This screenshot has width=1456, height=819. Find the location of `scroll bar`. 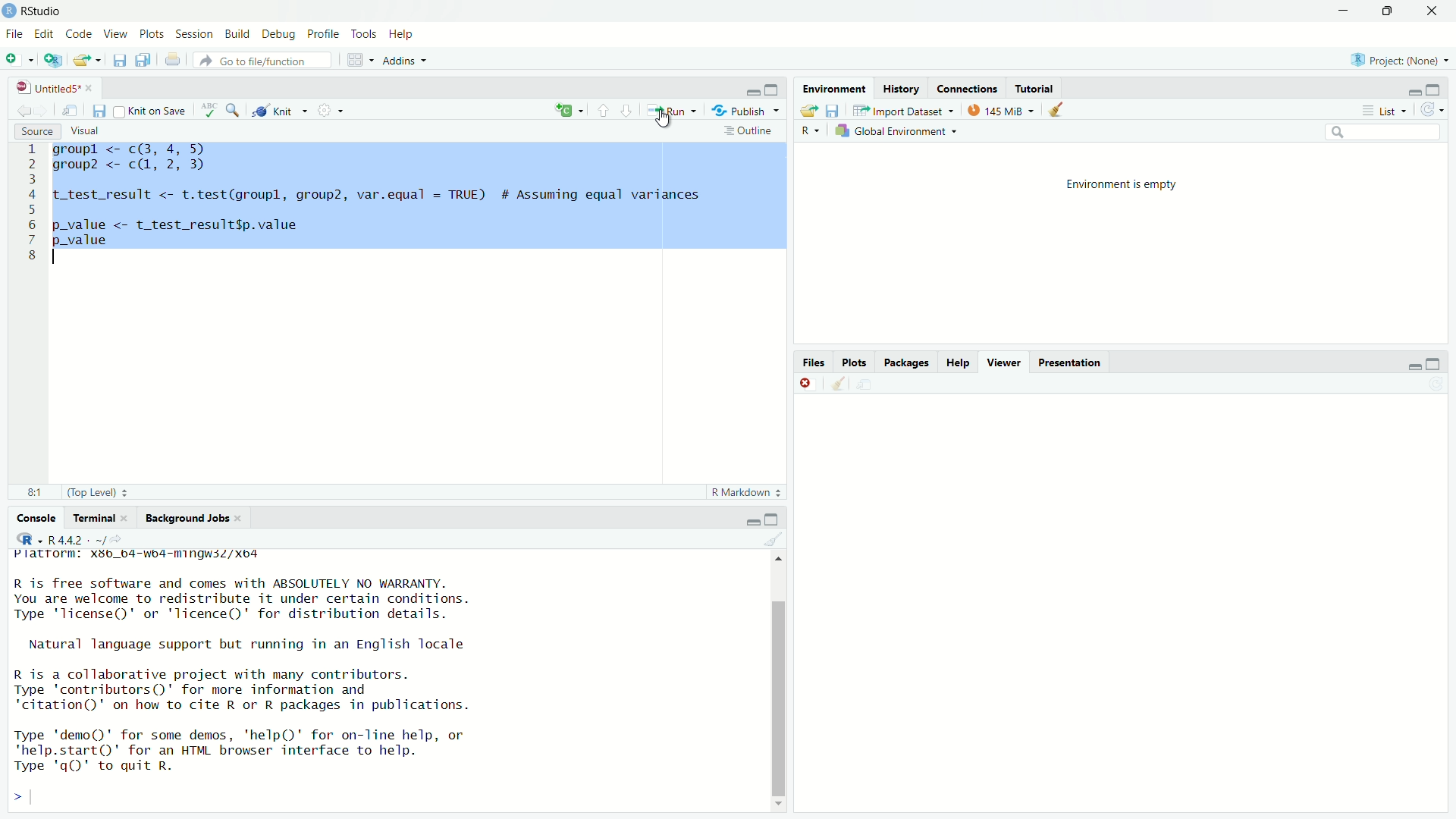

scroll bar is located at coordinates (775, 679).